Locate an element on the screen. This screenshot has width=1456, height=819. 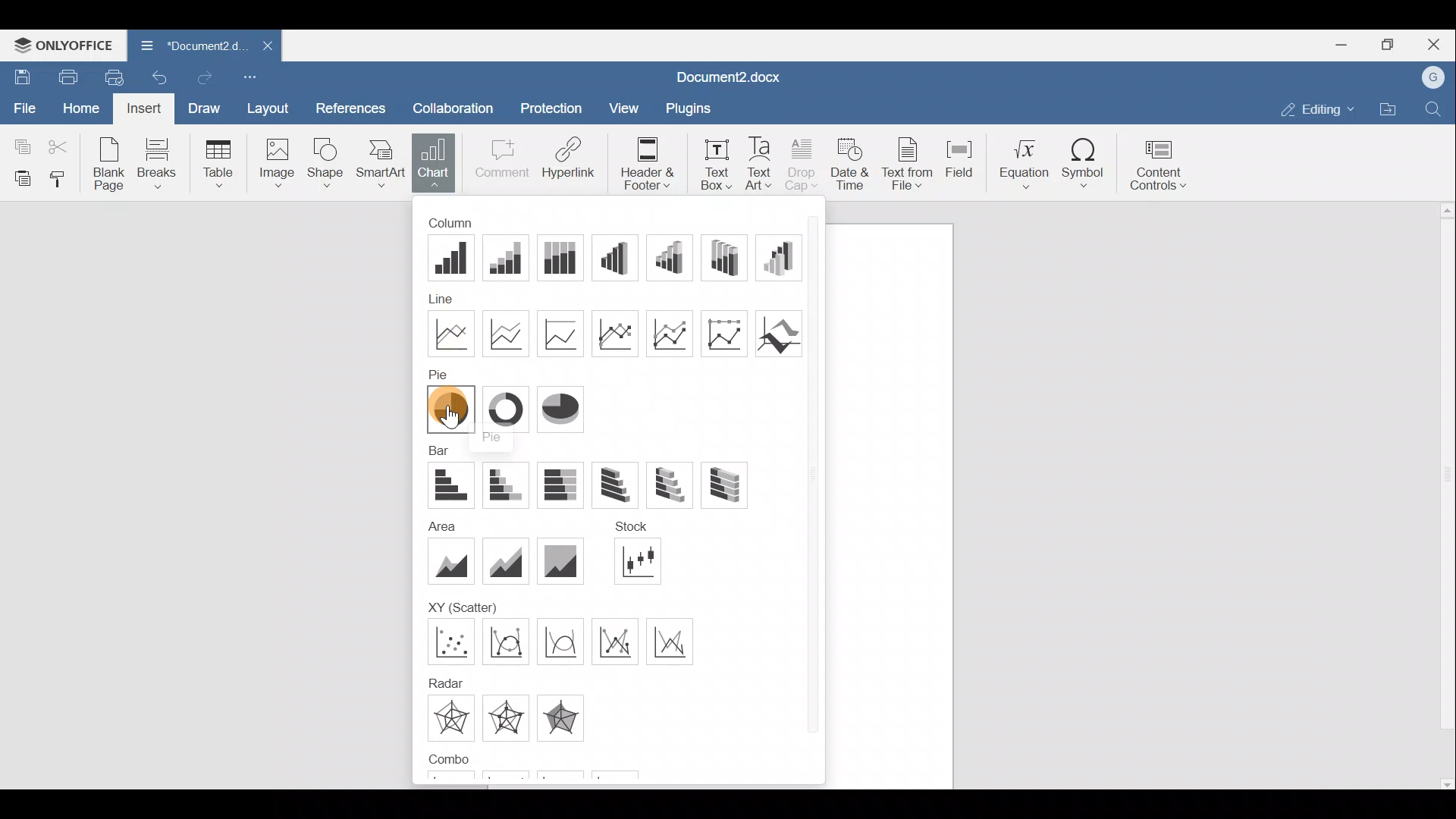
Quick print is located at coordinates (115, 78).